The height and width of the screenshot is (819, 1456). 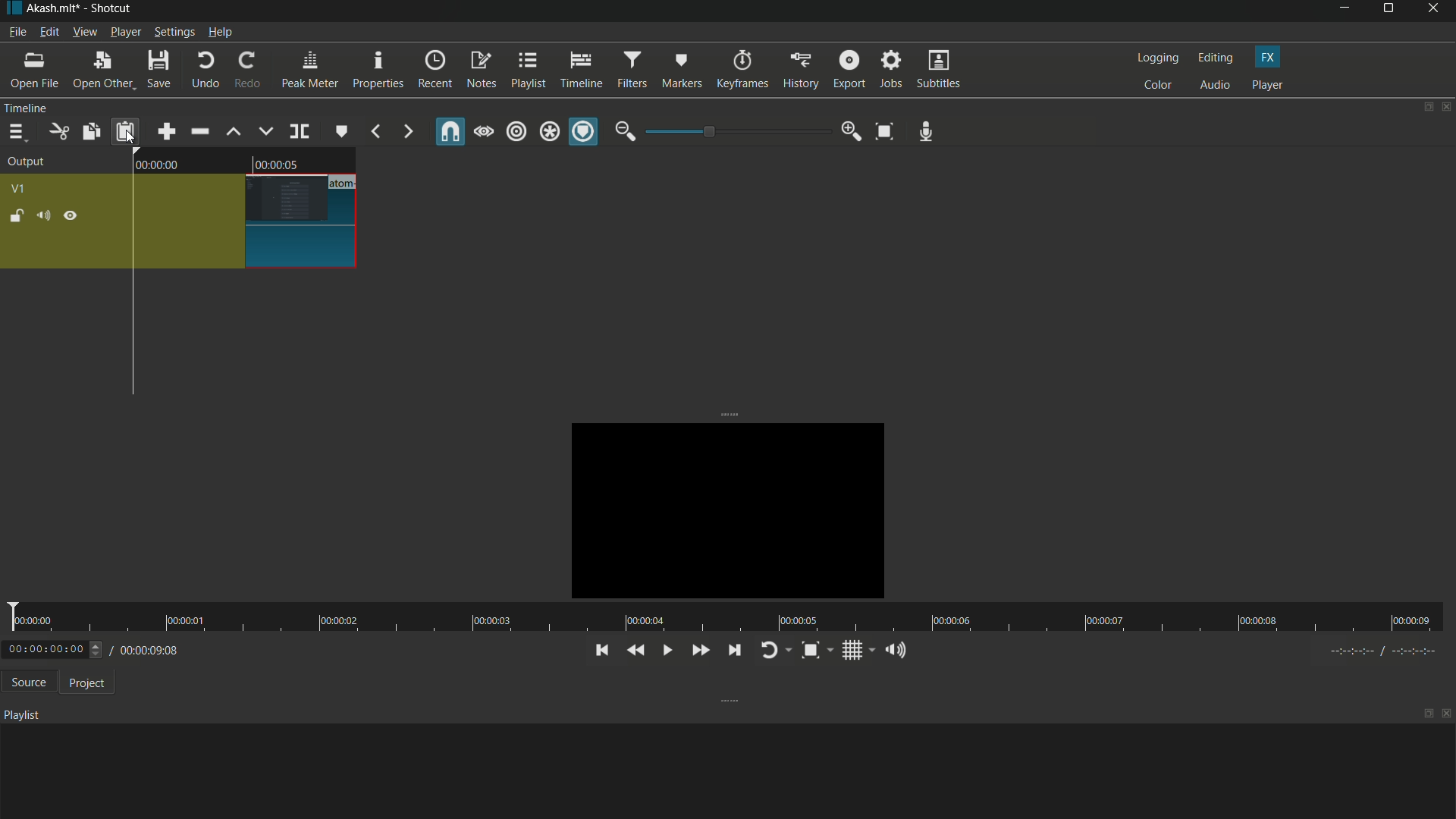 What do you see at coordinates (16, 132) in the screenshot?
I see `timeline menu` at bounding box center [16, 132].